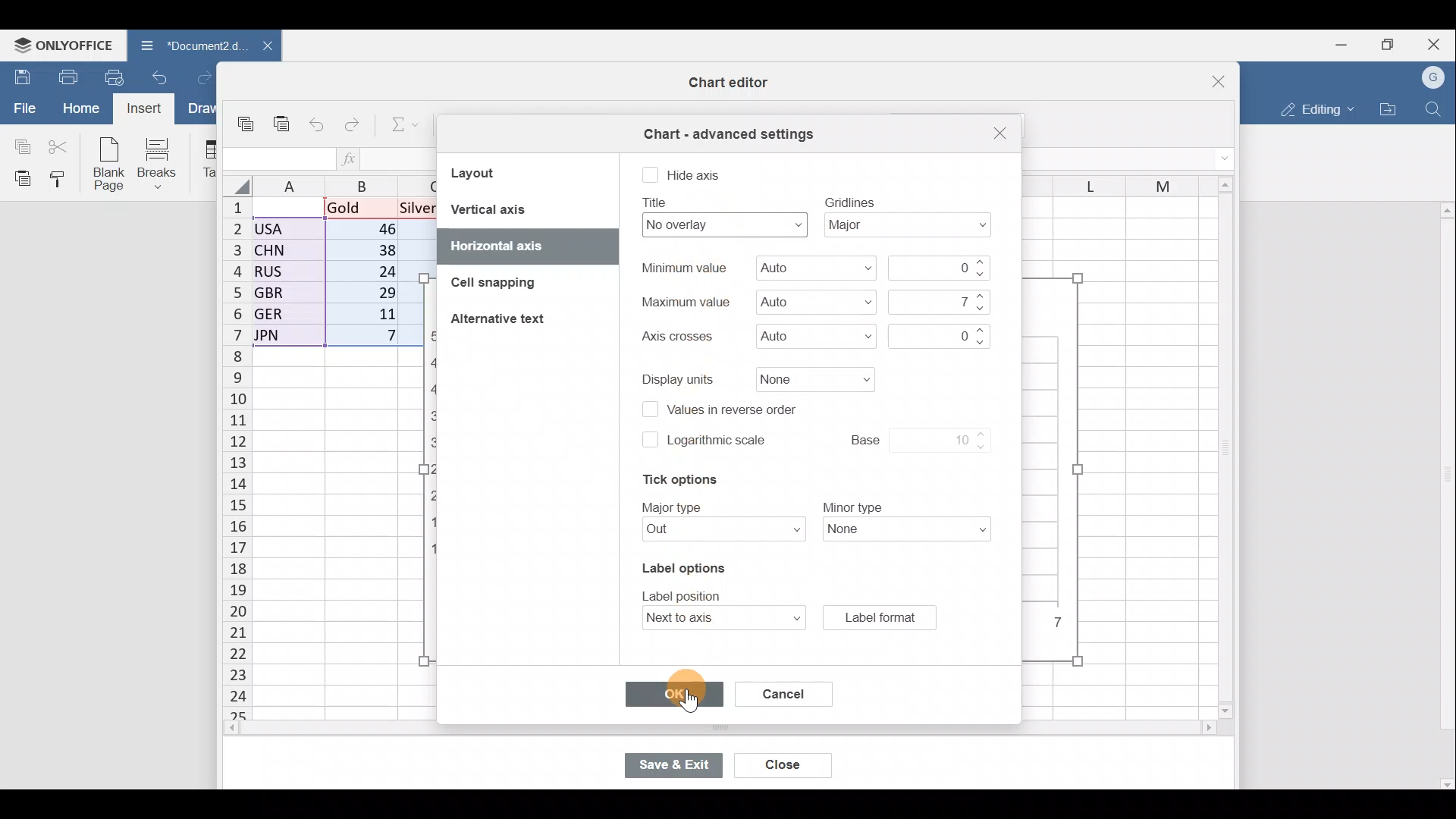 The image size is (1456, 819). What do you see at coordinates (77, 108) in the screenshot?
I see `Home` at bounding box center [77, 108].